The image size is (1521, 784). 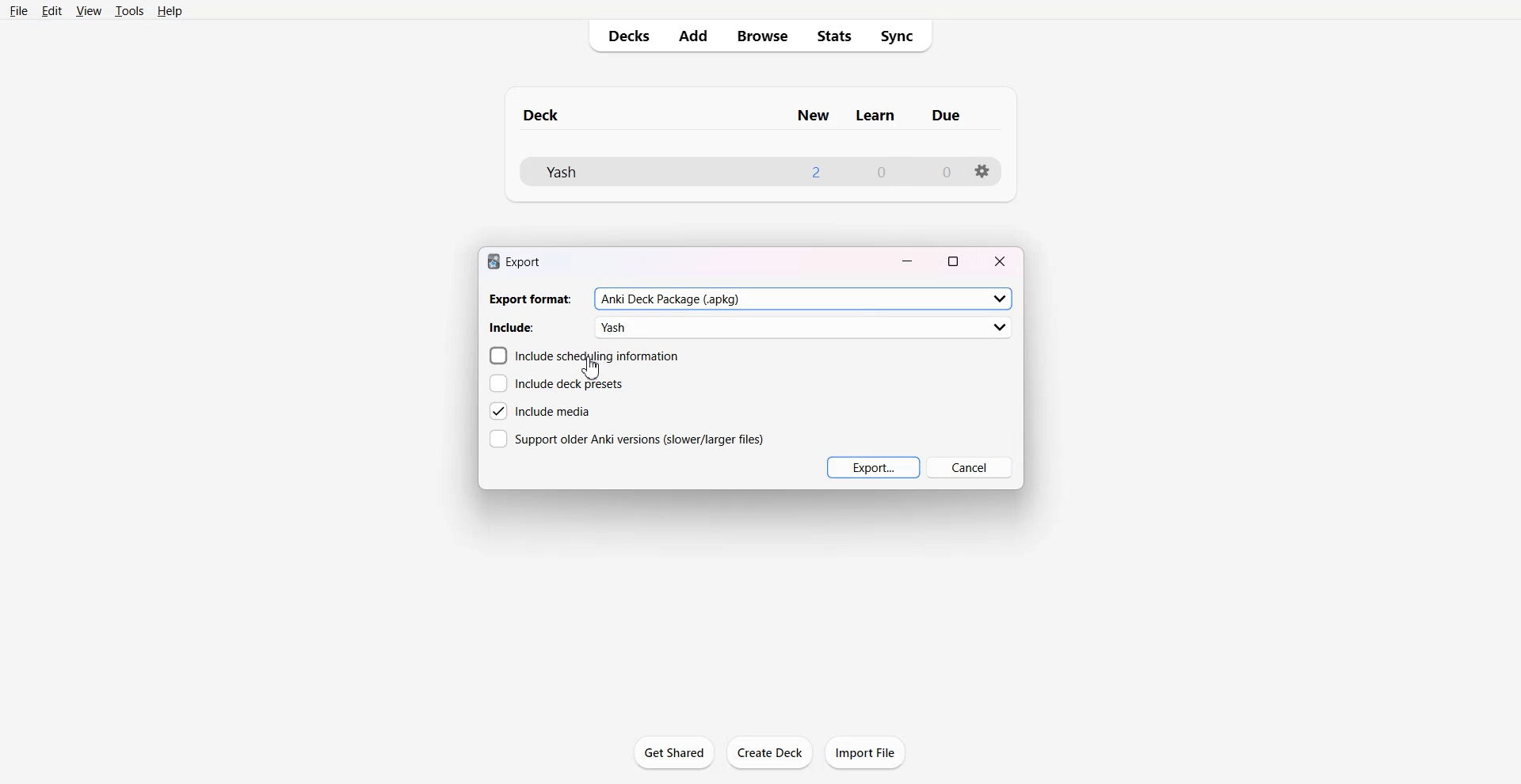 I want to click on options, so click(x=982, y=171).